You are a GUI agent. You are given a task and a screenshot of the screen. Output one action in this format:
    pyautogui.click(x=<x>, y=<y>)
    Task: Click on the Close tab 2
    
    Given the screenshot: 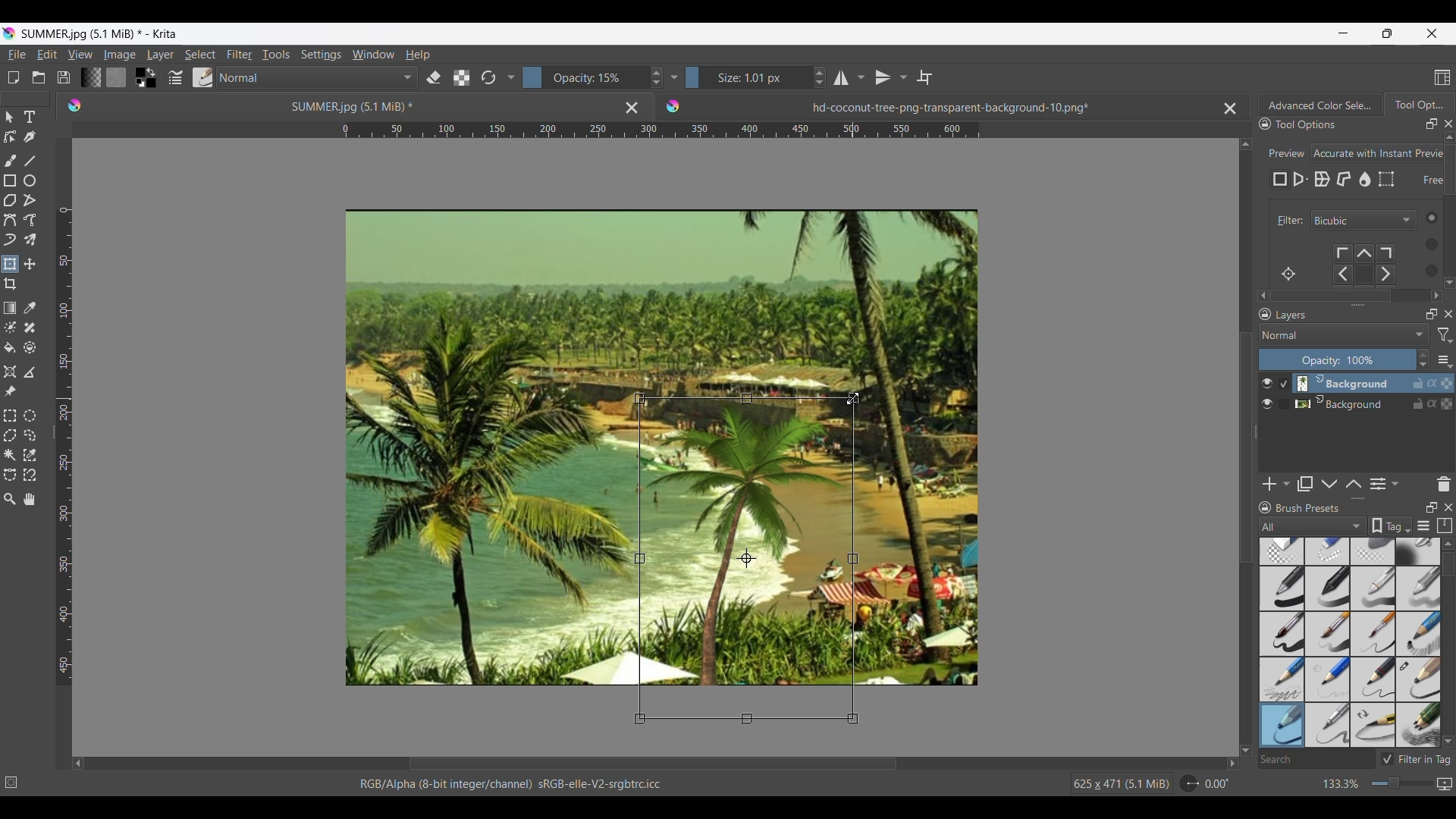 What is the action you would take?
    pyautogui.click(x=1230, y=108)
    